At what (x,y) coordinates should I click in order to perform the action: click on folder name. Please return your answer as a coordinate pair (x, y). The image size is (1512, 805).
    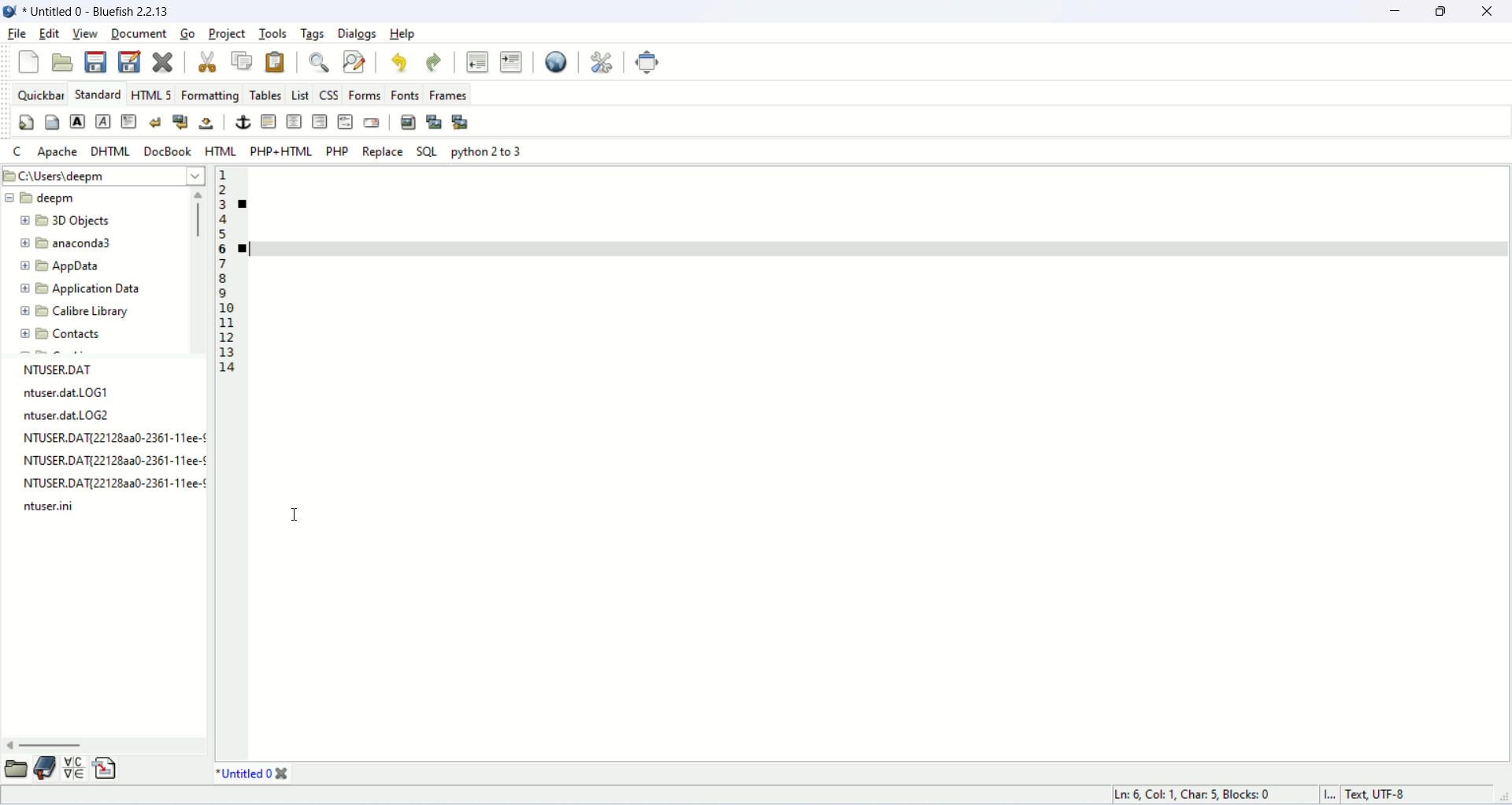
    Looking at the image, I should click on (67, 335).